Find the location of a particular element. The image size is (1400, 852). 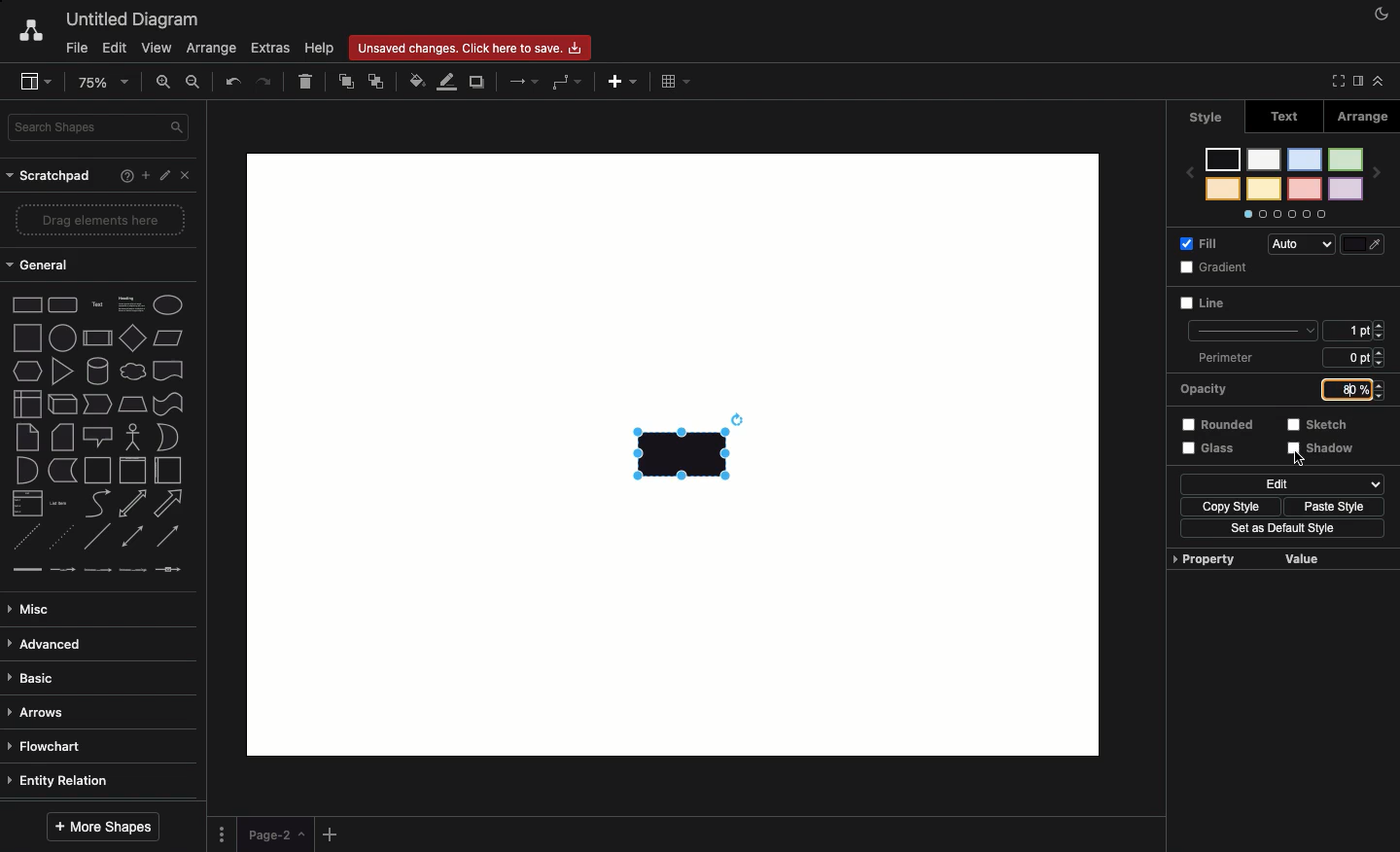

Draw.io is located at coordinates (32, 34).